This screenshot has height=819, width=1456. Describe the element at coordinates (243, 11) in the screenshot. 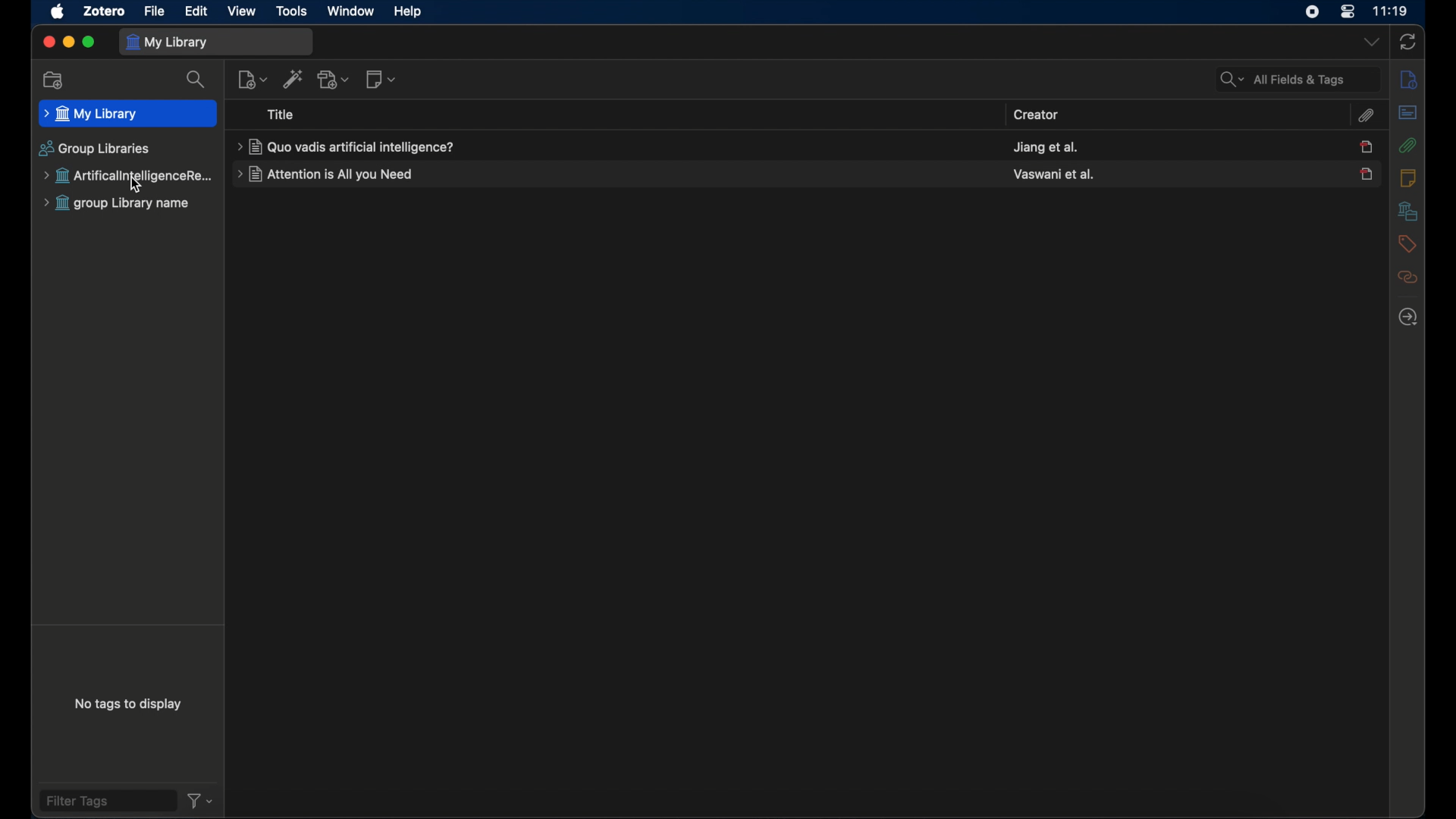

I see `view` at that location.